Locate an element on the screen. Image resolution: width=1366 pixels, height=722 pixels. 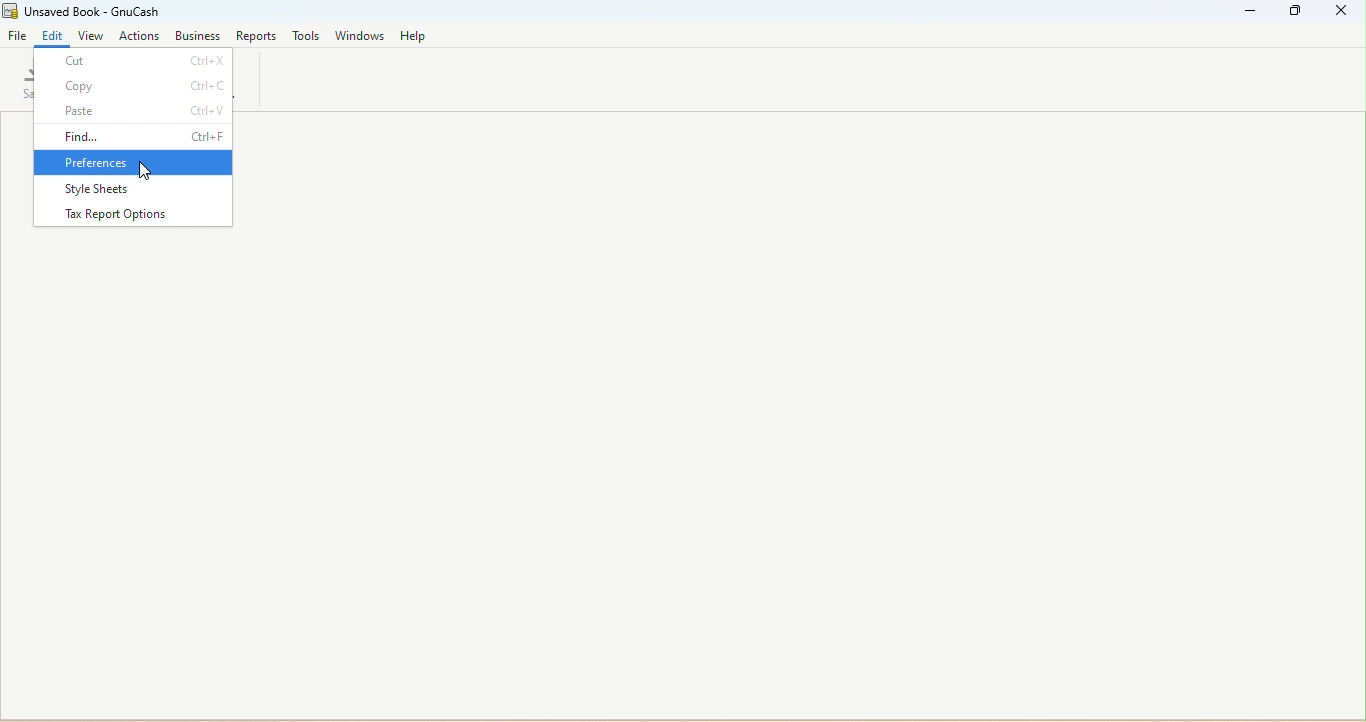
Business is located at coordinates (198, 38).